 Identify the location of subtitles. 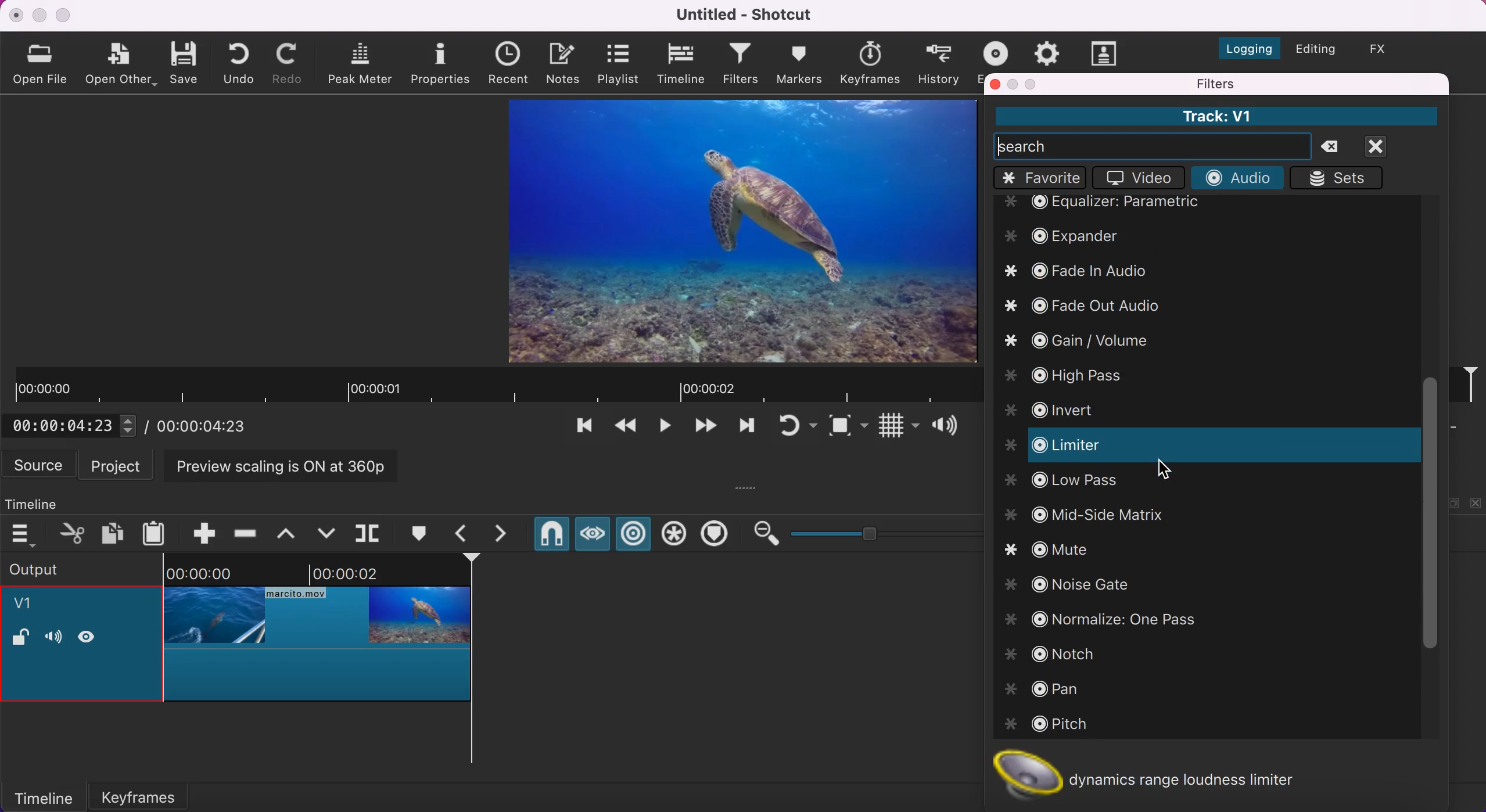
(1105, 53).